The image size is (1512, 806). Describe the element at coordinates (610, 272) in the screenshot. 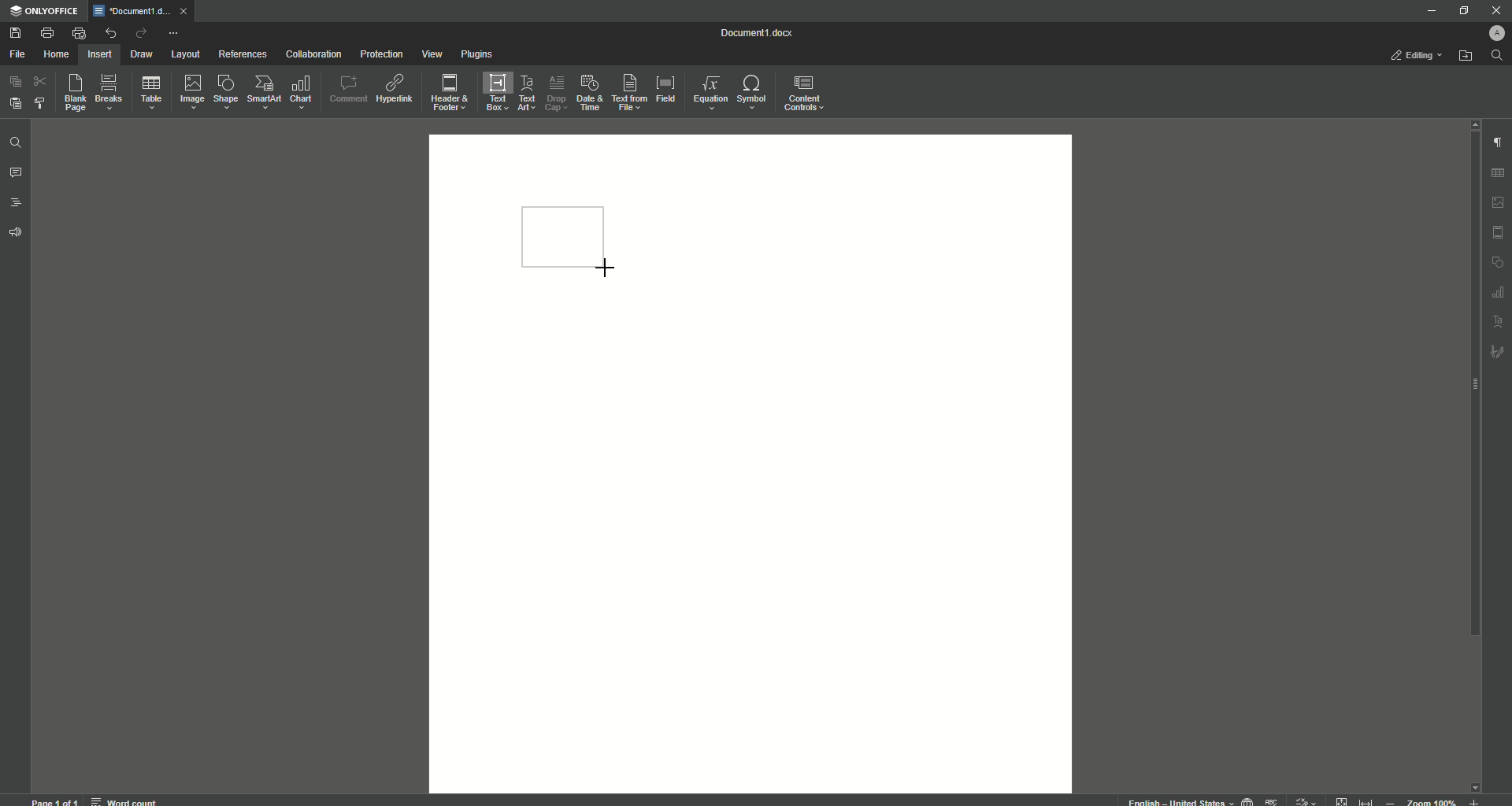

I see `Cursor` at that location.